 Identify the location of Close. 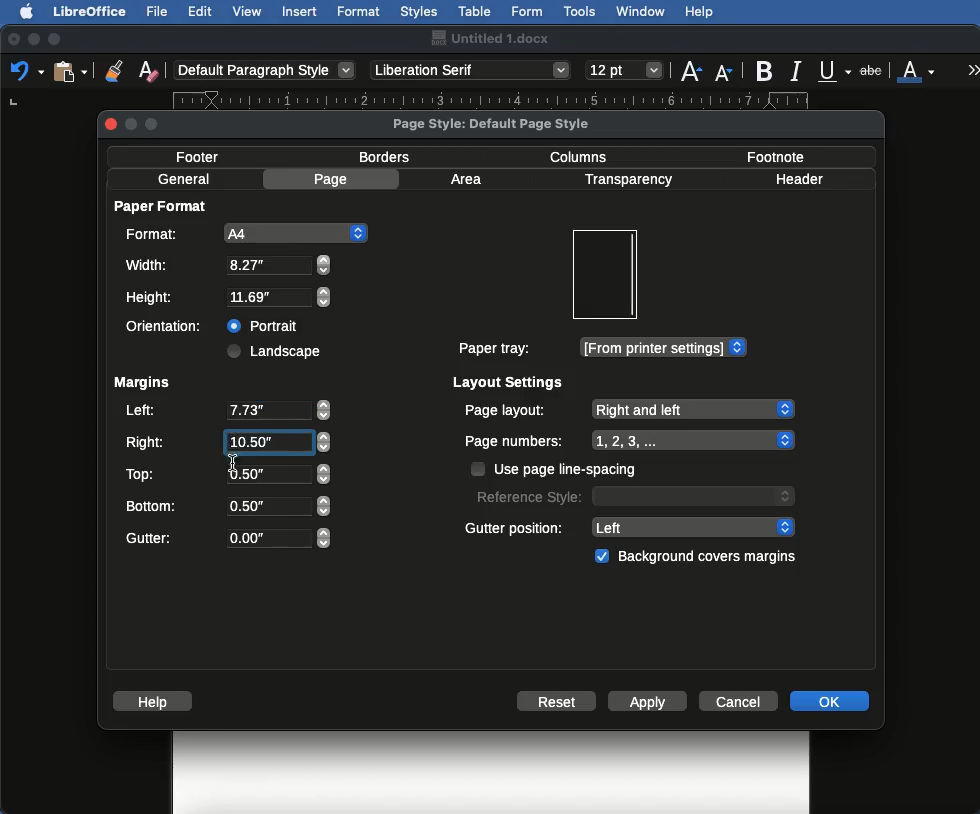
(14, 40).